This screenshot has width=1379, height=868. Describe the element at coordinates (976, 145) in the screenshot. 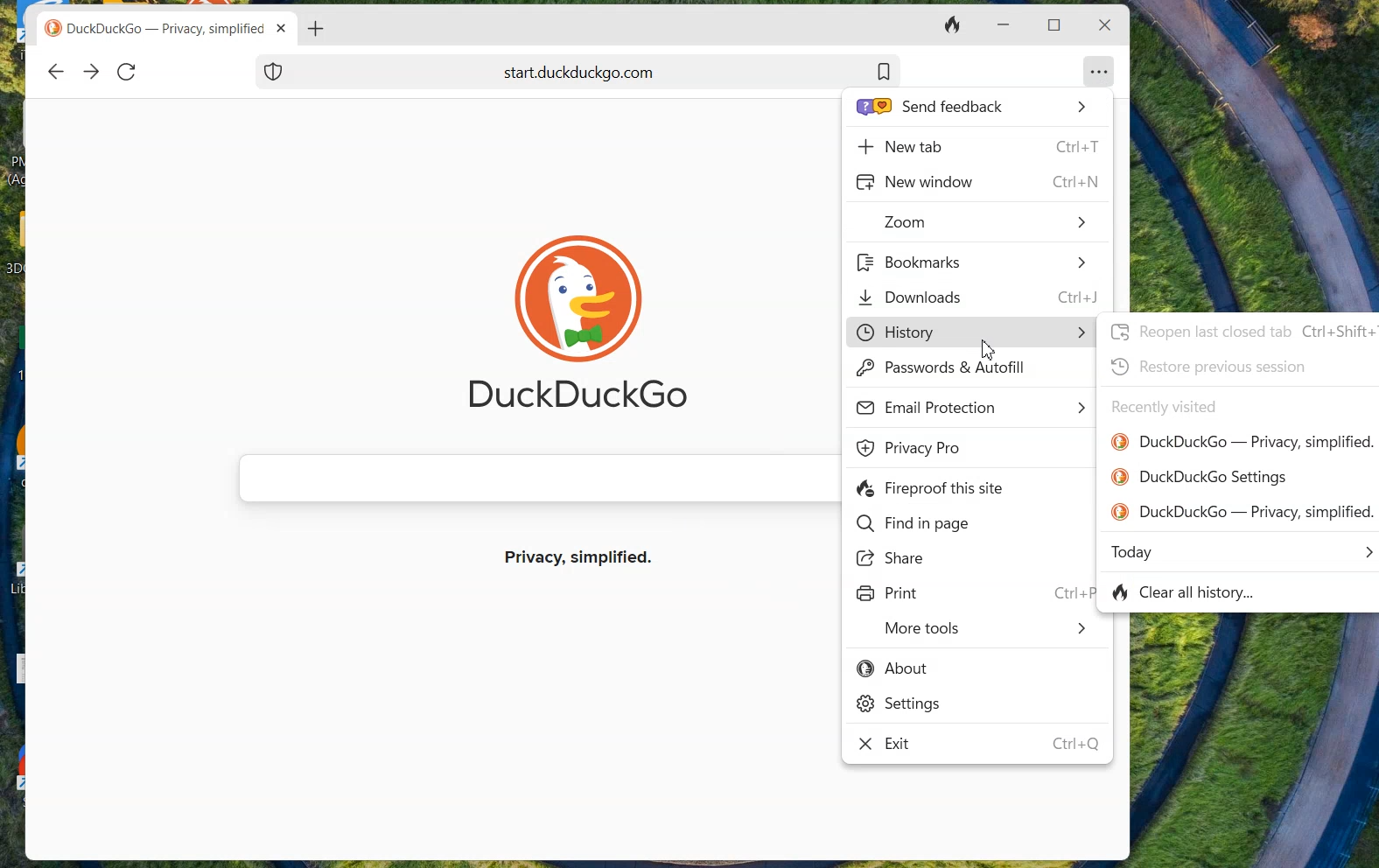

I see `New tab` at that location.